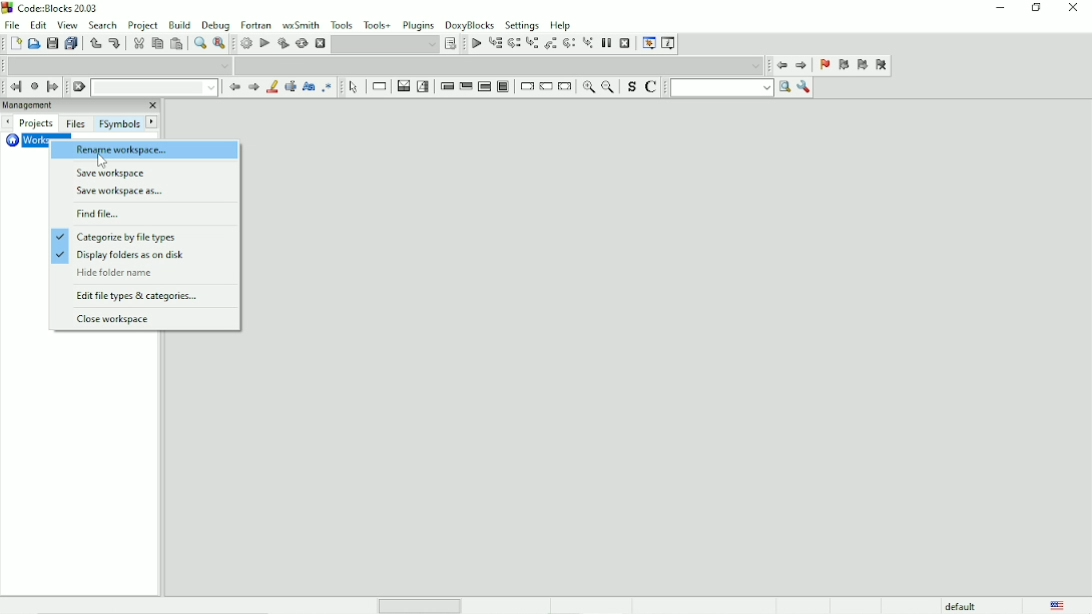 This screenshot has height=614, width=1092. Describe the element at coordinates (730, 87) in the screenshot. I see `Run search` at that location.